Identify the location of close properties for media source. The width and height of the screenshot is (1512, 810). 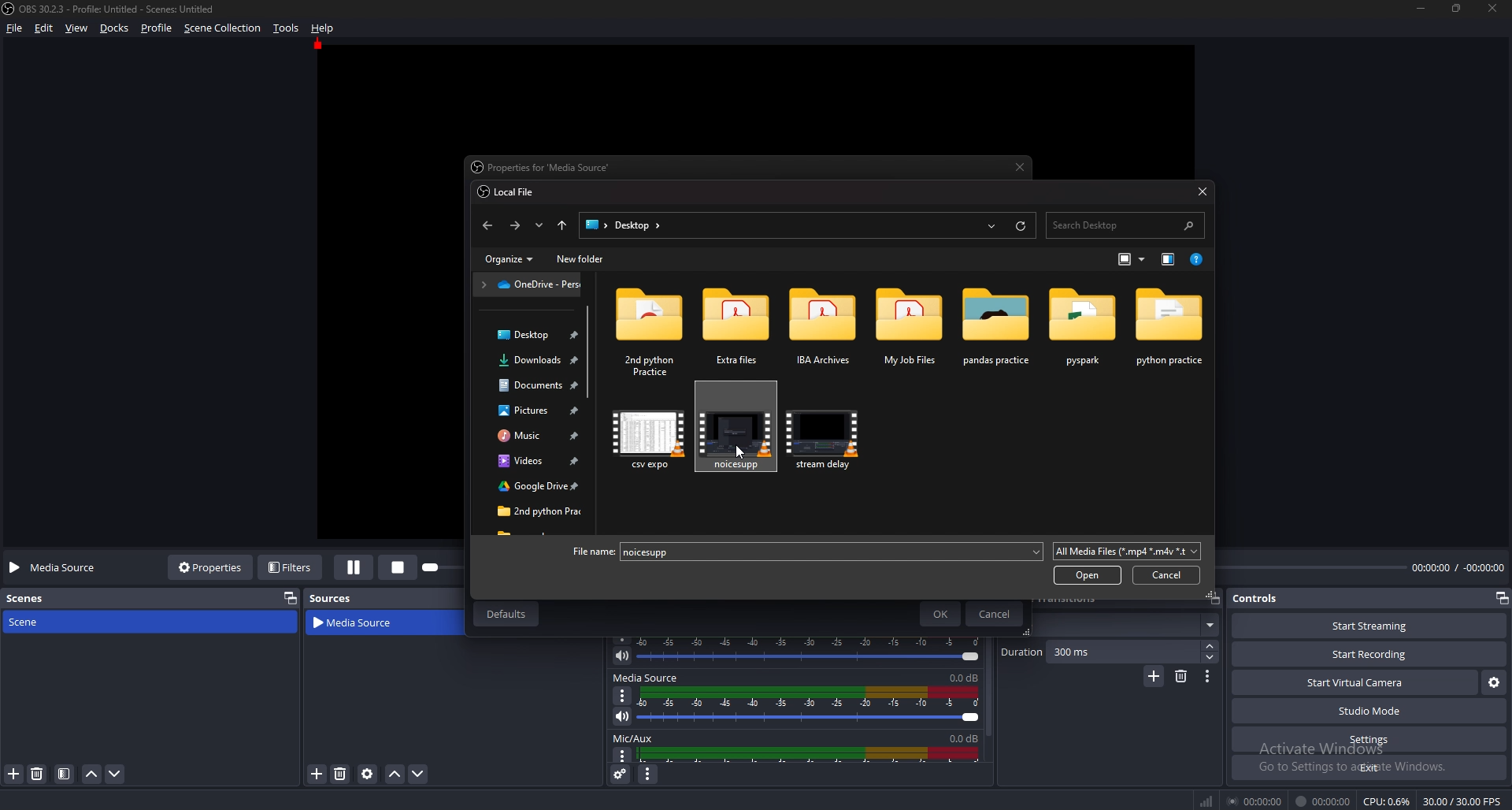
(1021, 167).